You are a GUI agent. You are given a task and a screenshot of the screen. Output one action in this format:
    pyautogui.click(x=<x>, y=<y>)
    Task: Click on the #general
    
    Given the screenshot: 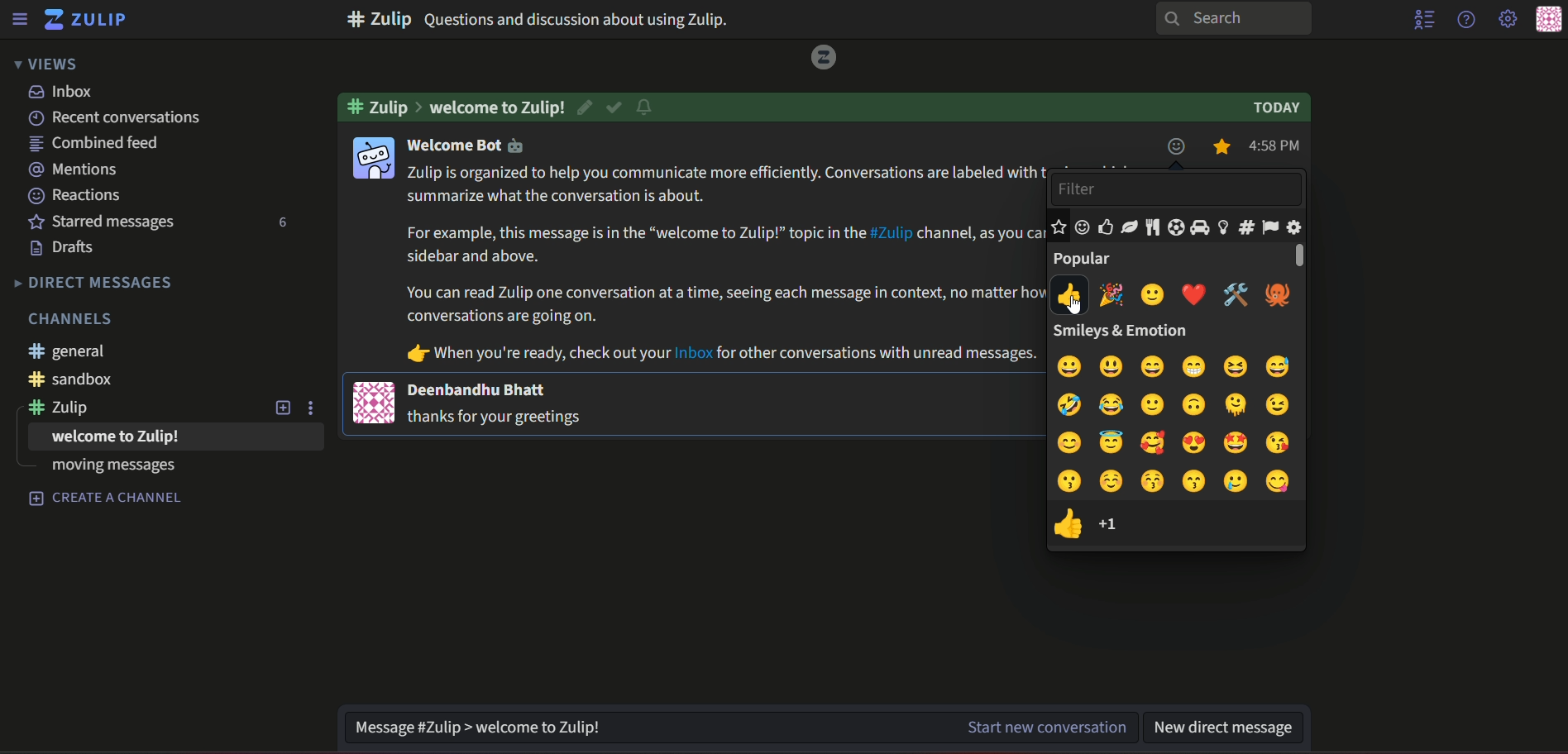 What is the action you would take?
    pyautogui.click(x=72, y=351)
    